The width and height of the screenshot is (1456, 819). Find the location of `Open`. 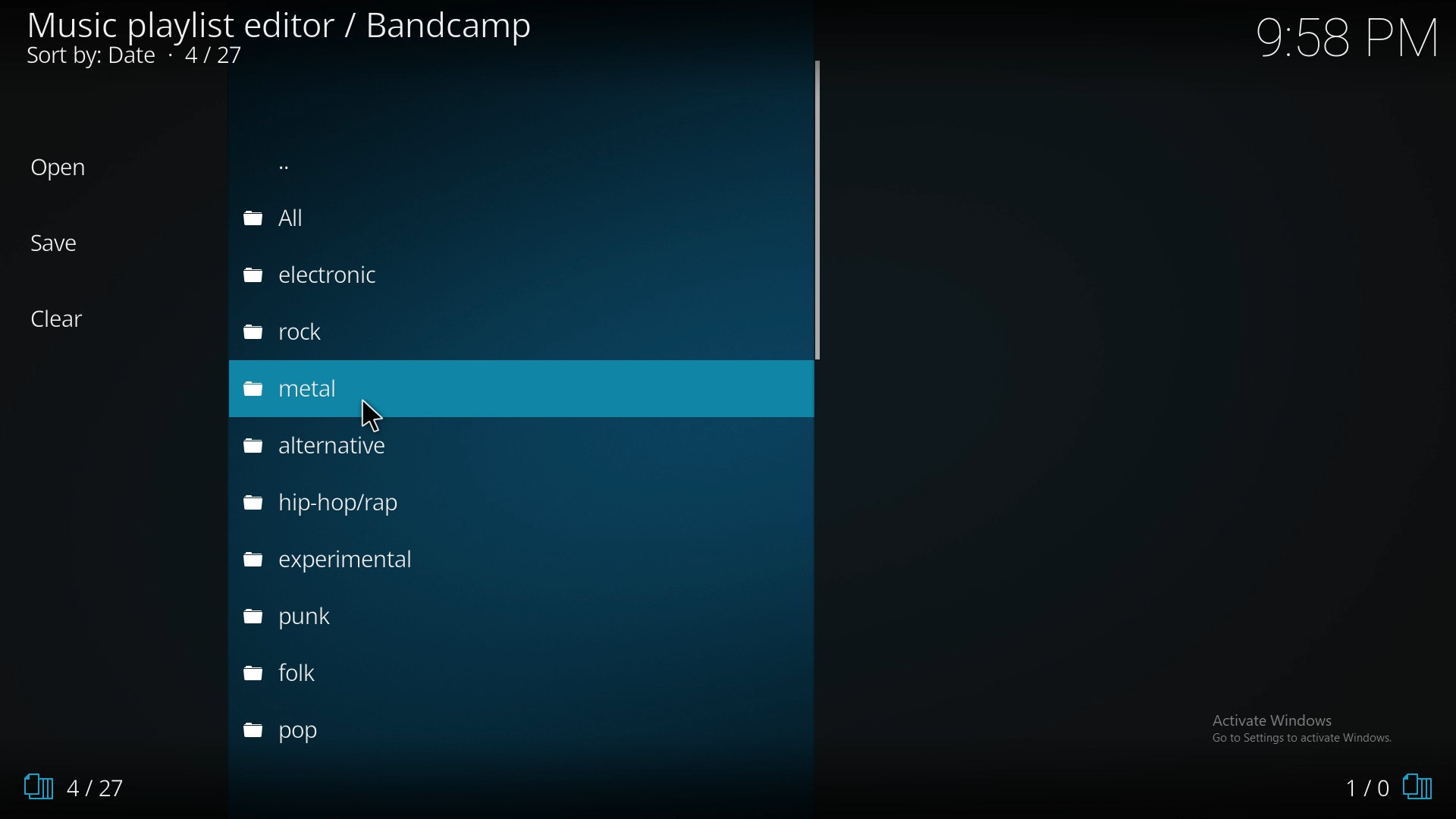

Open is located at coordinates (59, 168).